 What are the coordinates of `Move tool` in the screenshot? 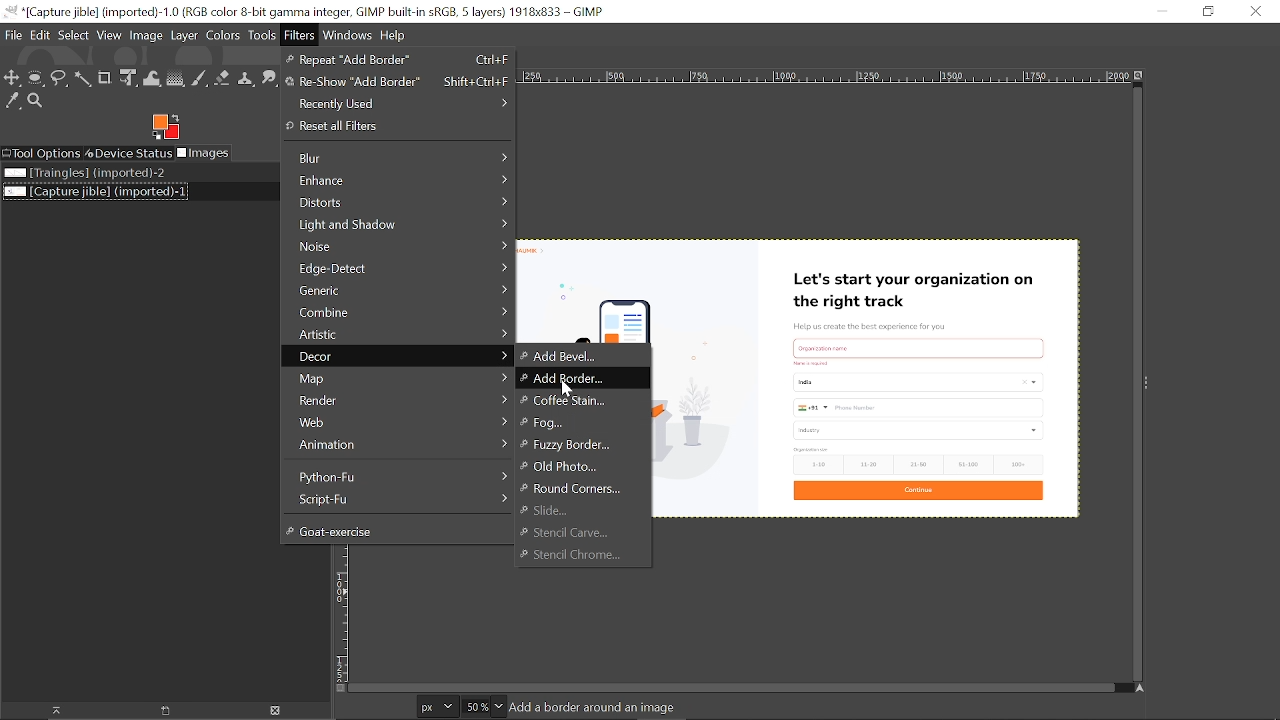 It's located at (13, 78).